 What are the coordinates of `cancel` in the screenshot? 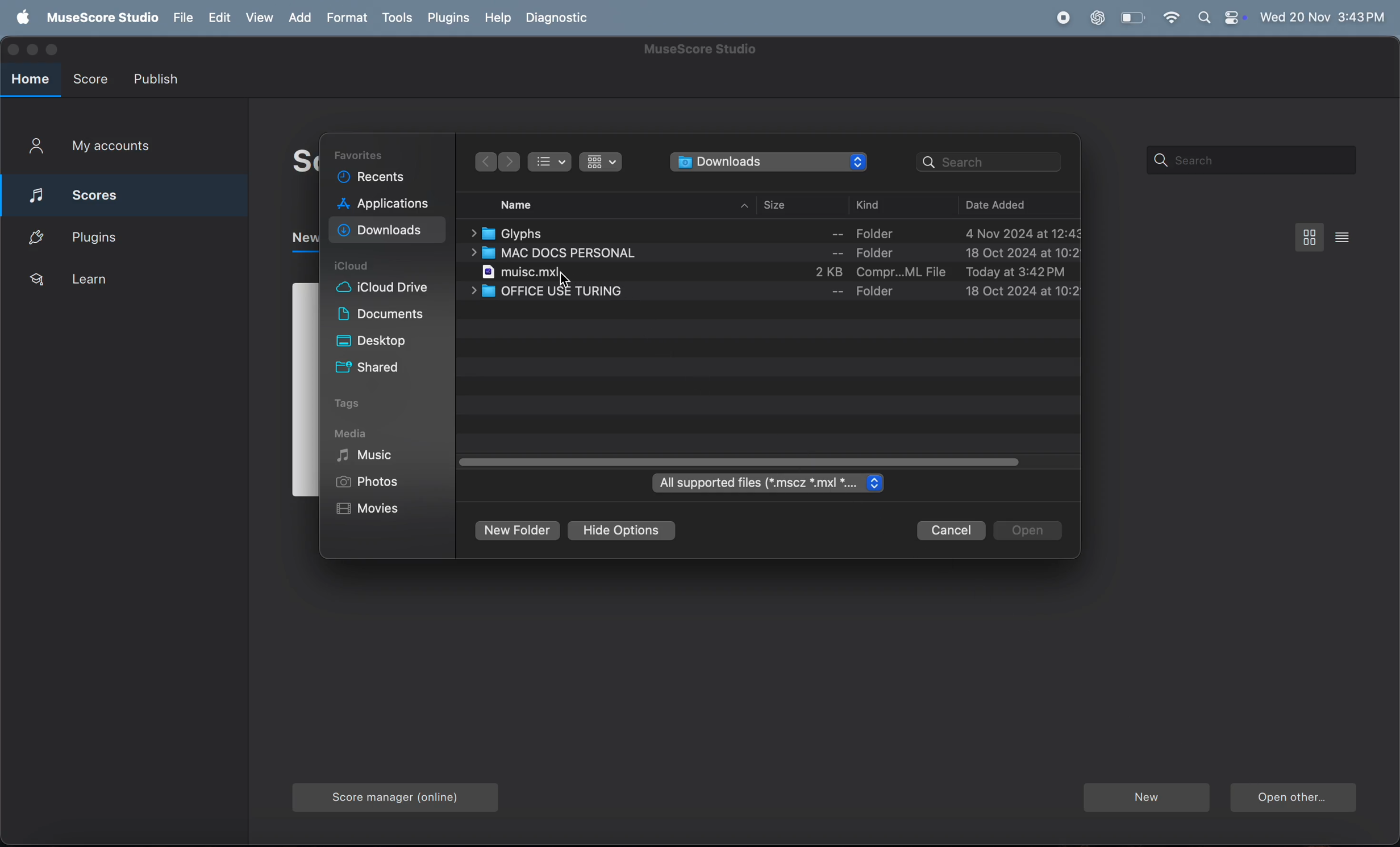 It's located at (952, 530).